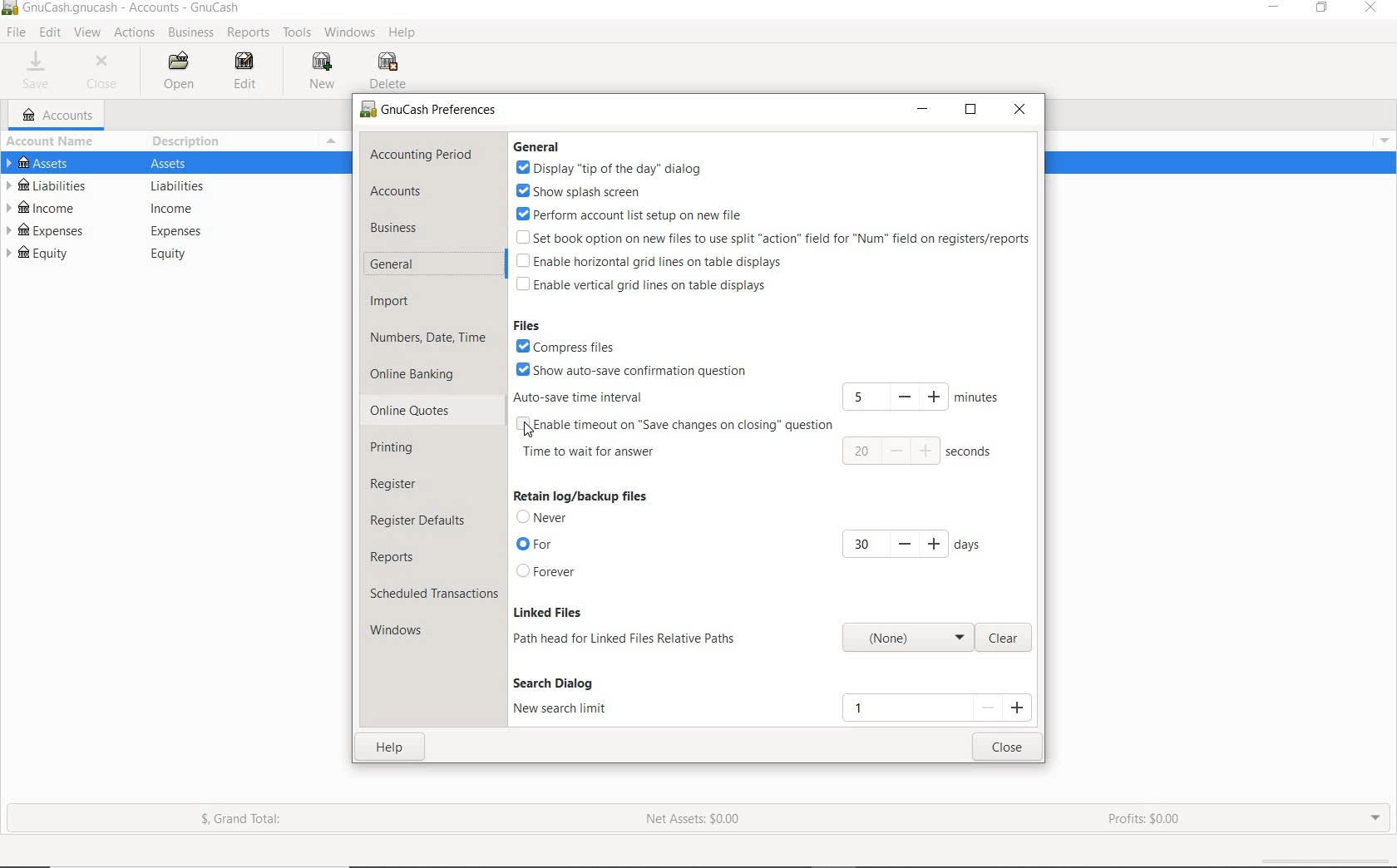  I want to click on WINDOWS, so click(398, 630).